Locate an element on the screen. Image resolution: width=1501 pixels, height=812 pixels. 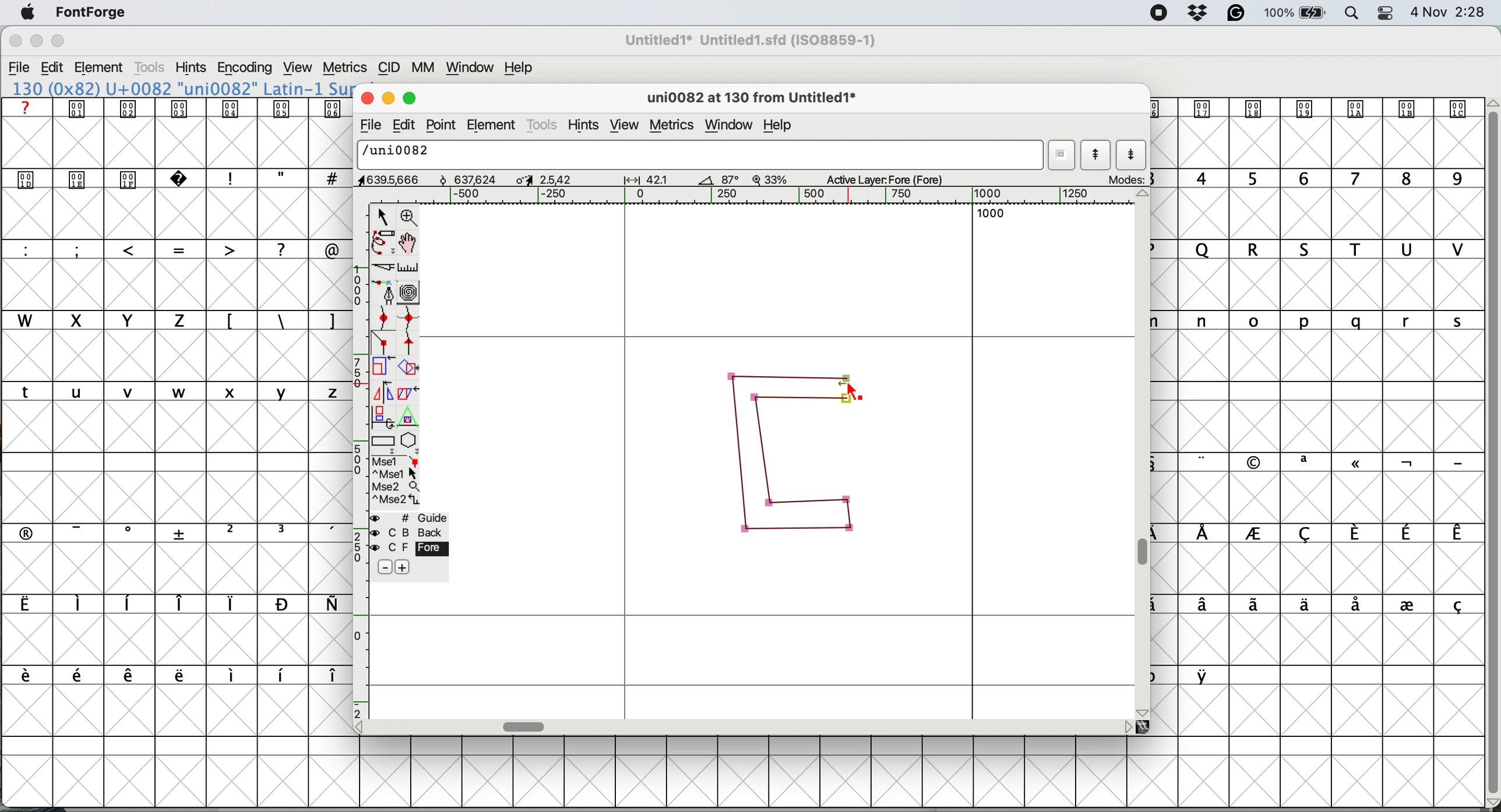
element is located at coordinates (100, 69).